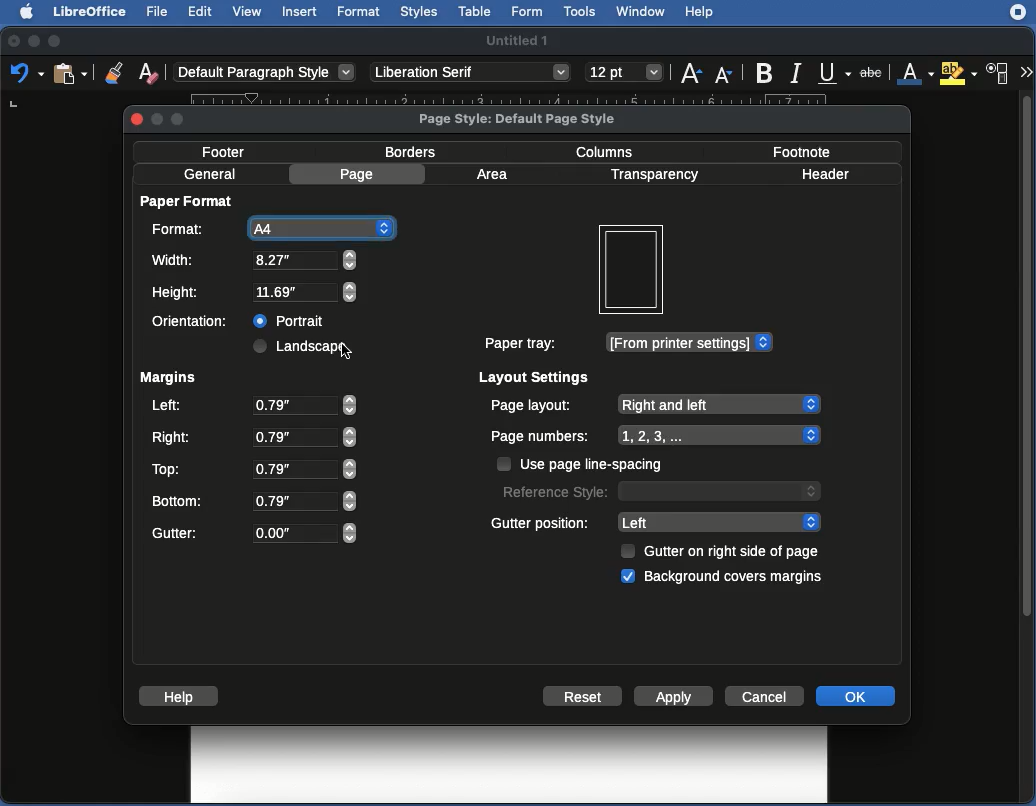 The image size is (1036, 806). What do you see at coordinates (134, 120) in the screenshot?
I see `close` at bounding box center [134, 120].